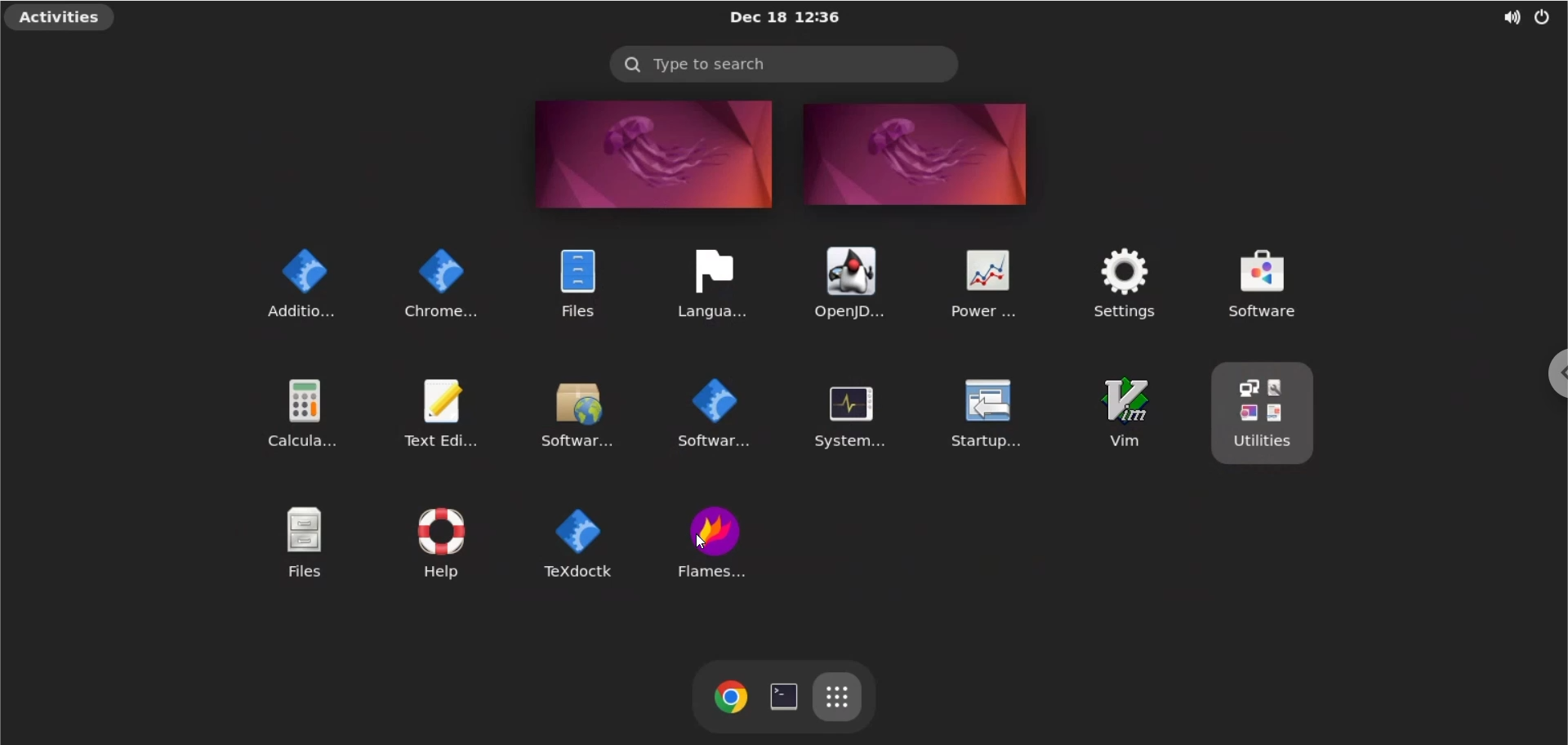  Describe the element at coordinates (988, 417) in the screenshot. I see `startup settings` at that location.